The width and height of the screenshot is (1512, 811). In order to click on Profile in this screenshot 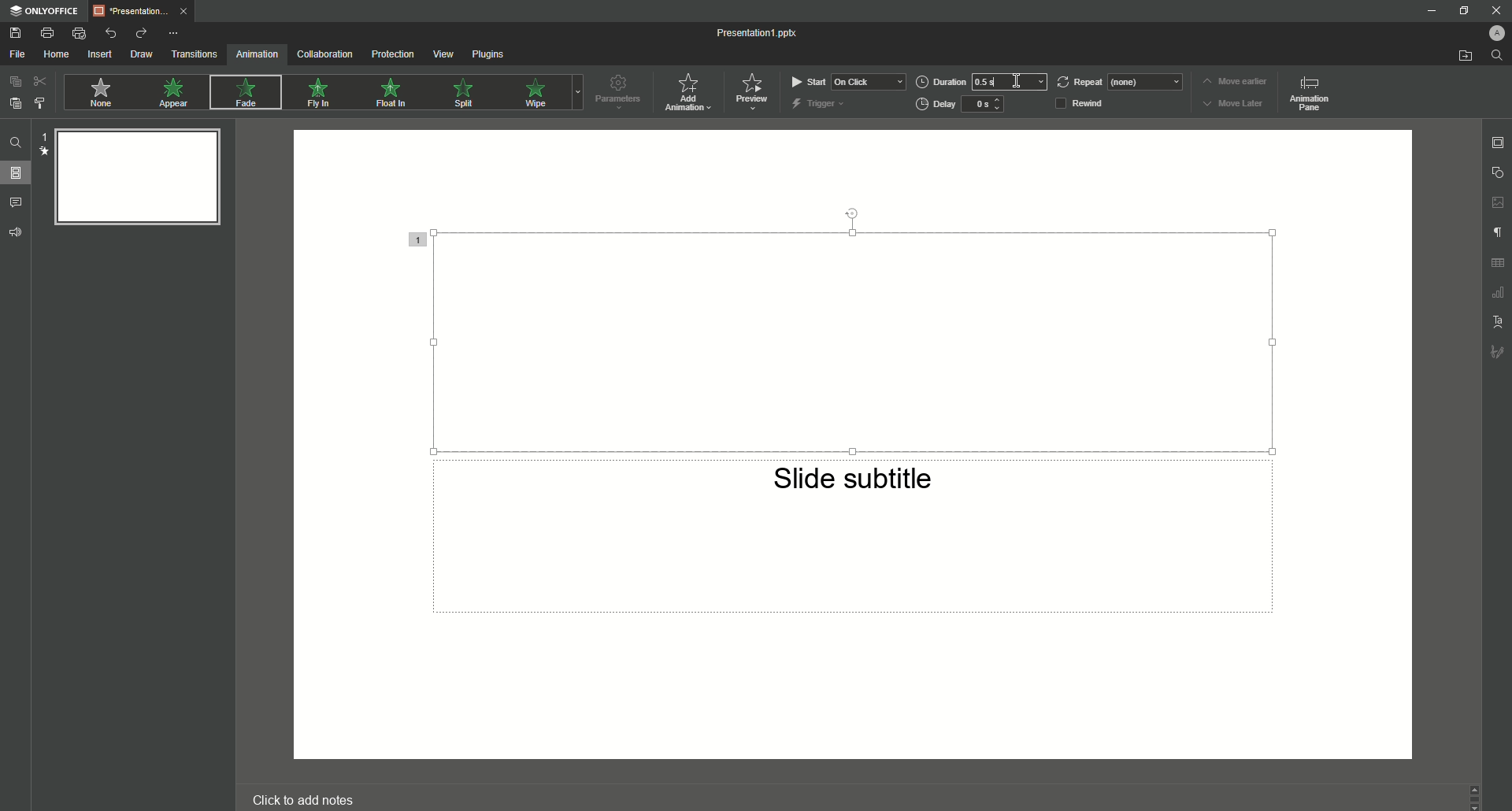, I will do `click(1495, 33)`.